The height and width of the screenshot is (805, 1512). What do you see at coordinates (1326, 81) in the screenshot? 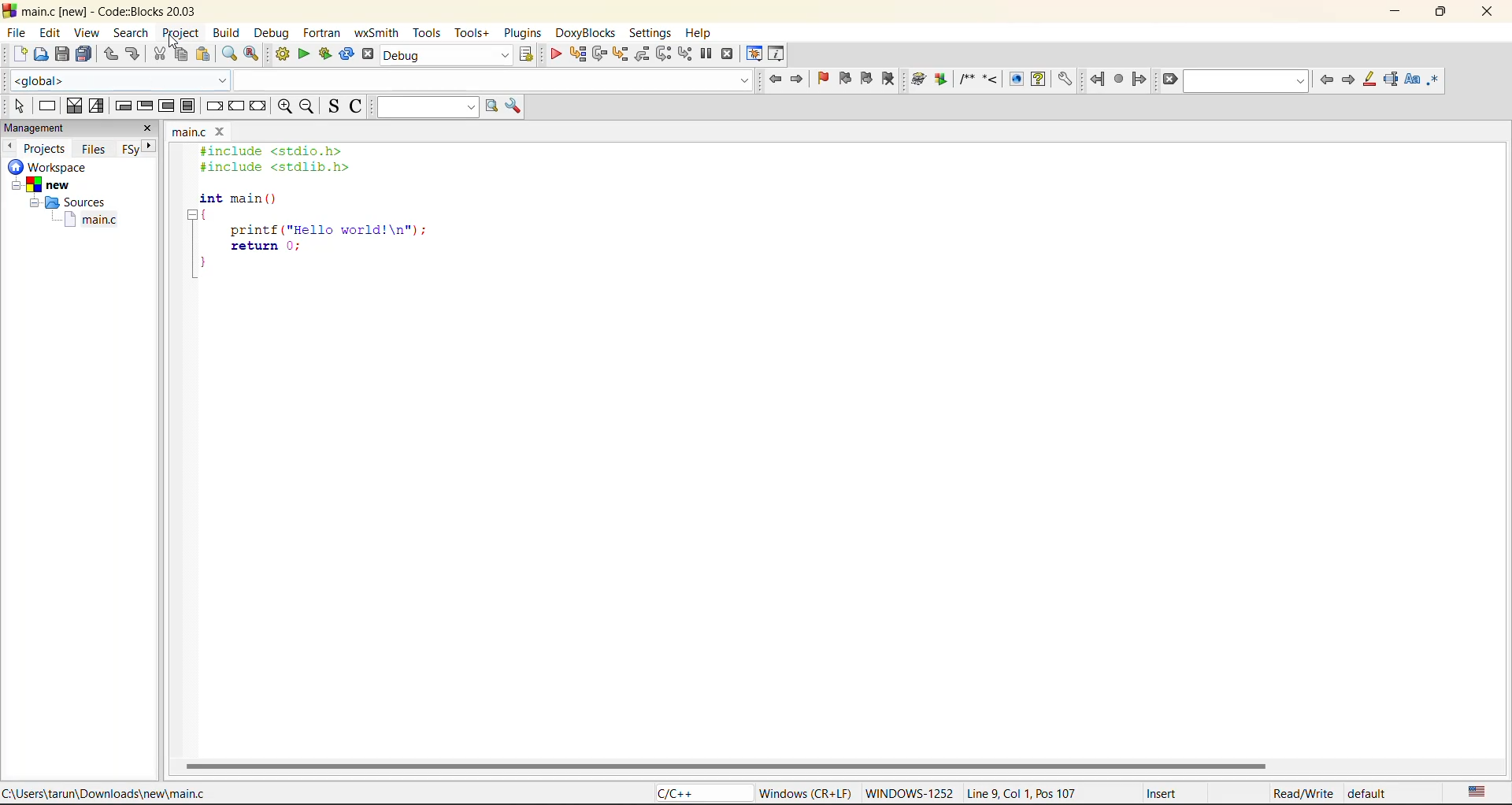
I see `previous` at bounding box center [1326, 81].